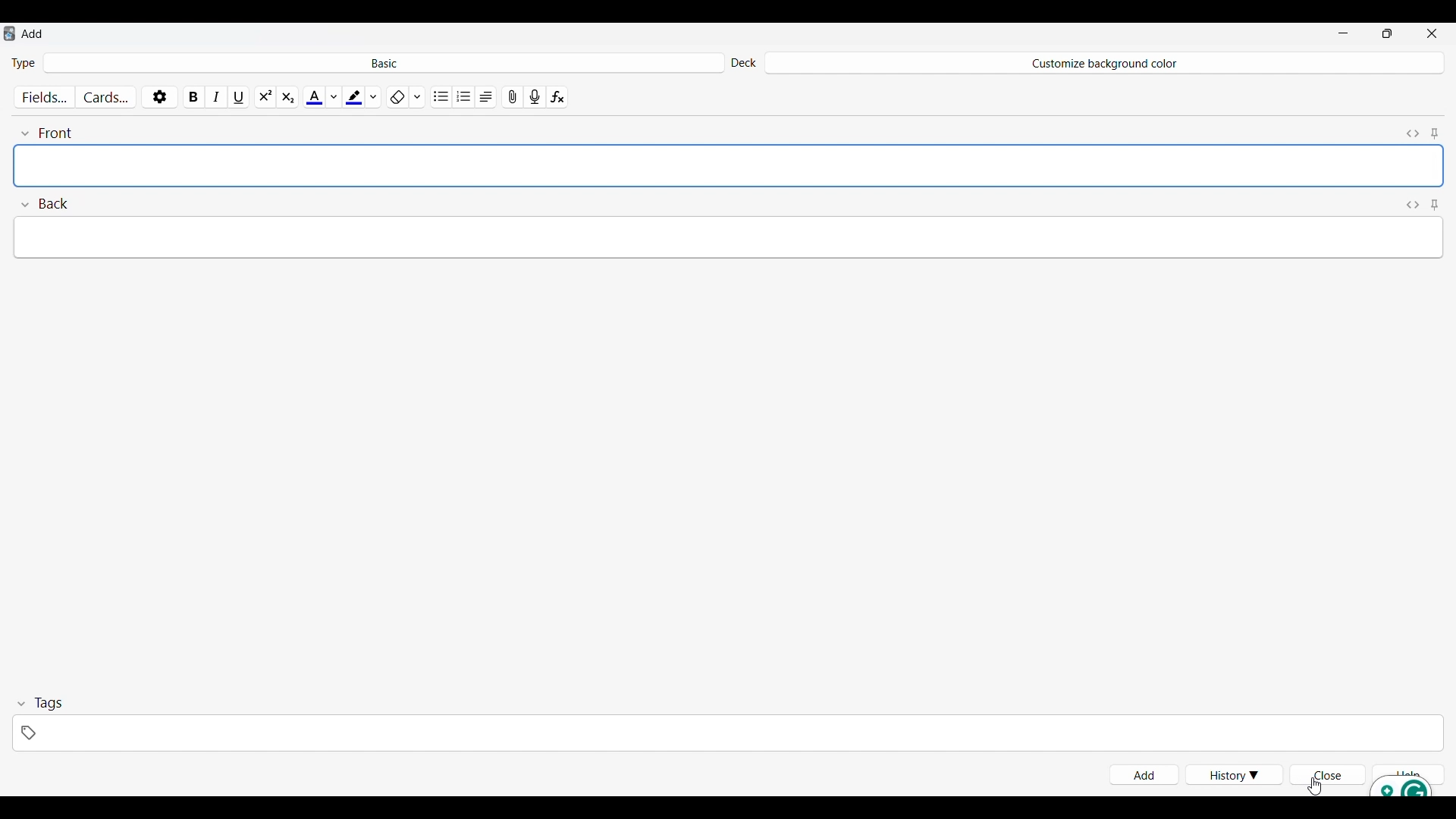  I want to click on Ordered list, so click(464, 95).